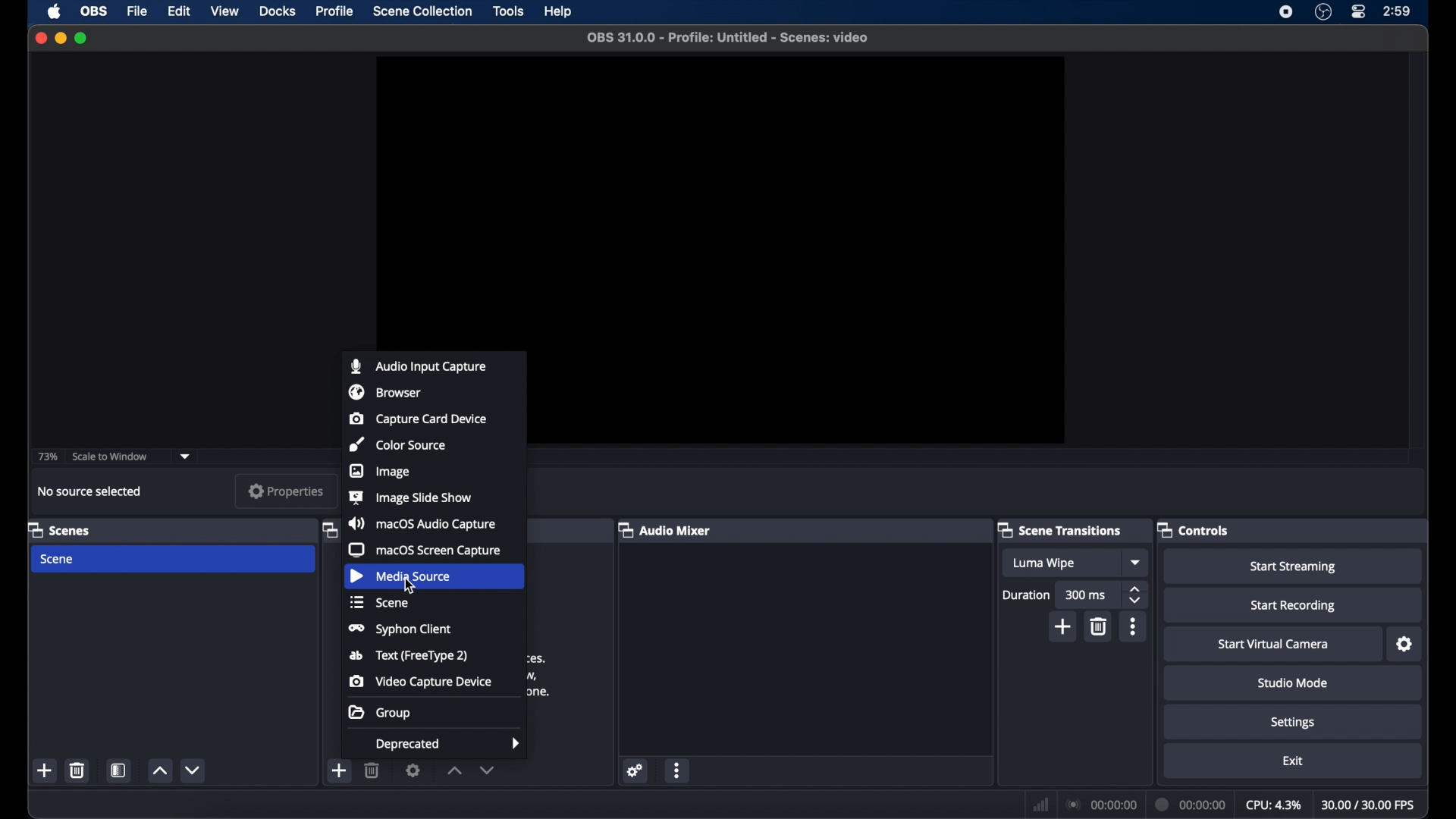 The image size is (1456, 819). Describe the element at coordinates (427, 550) in the screenshot. I see `macOS screen capture` at that location.